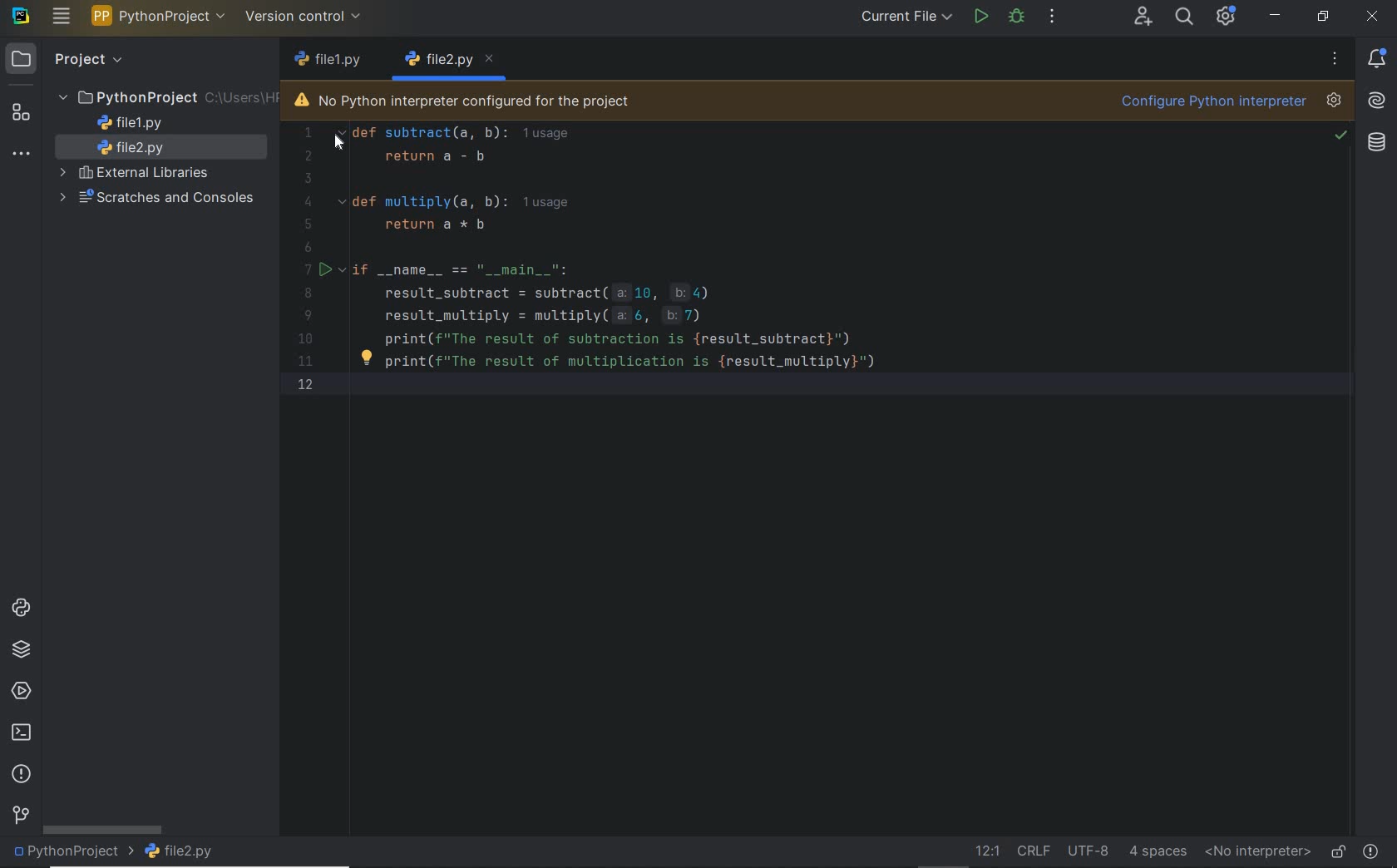  I want to click on file encoding, so click(1089, 850).